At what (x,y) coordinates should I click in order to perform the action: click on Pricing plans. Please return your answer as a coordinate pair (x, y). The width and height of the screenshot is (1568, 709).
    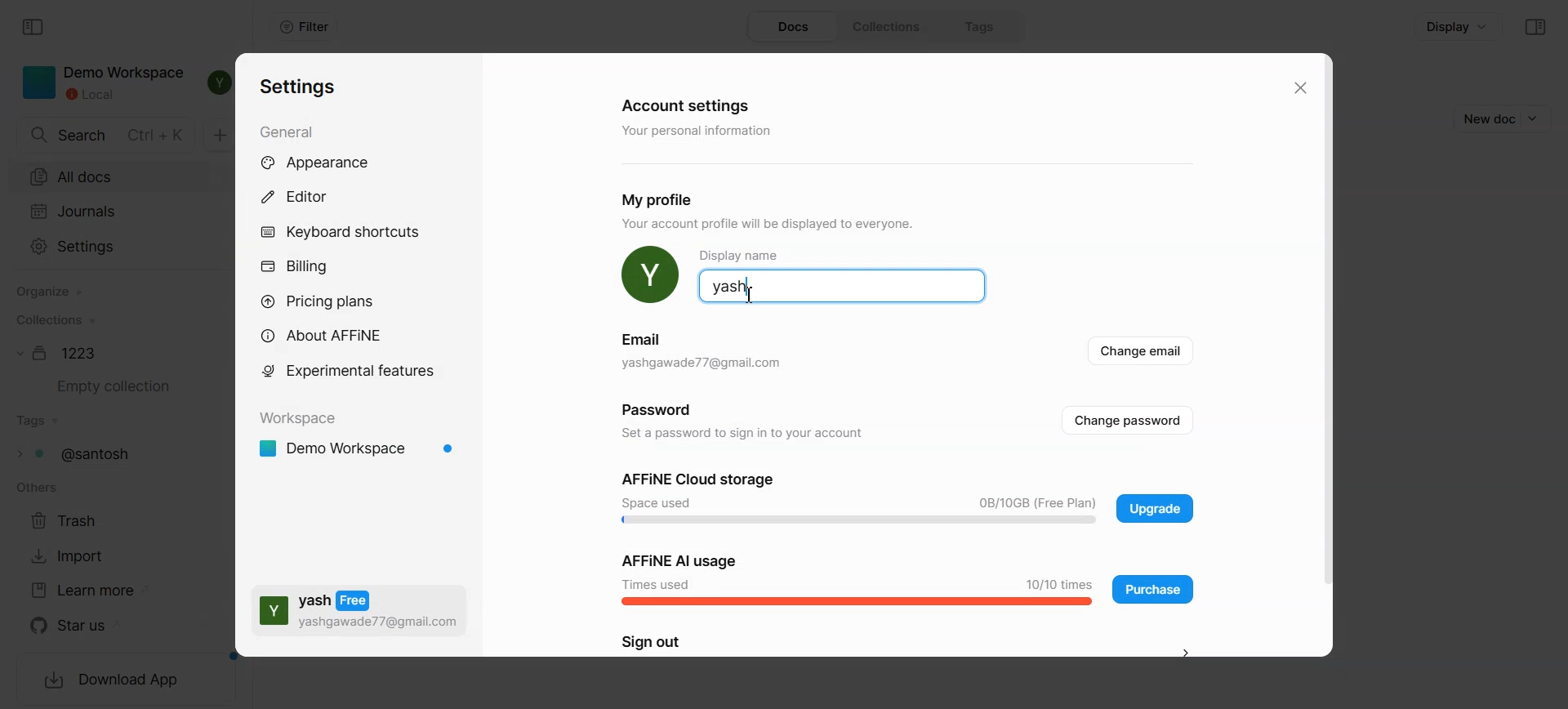
    Looking at the image, I should click on (328, 301).